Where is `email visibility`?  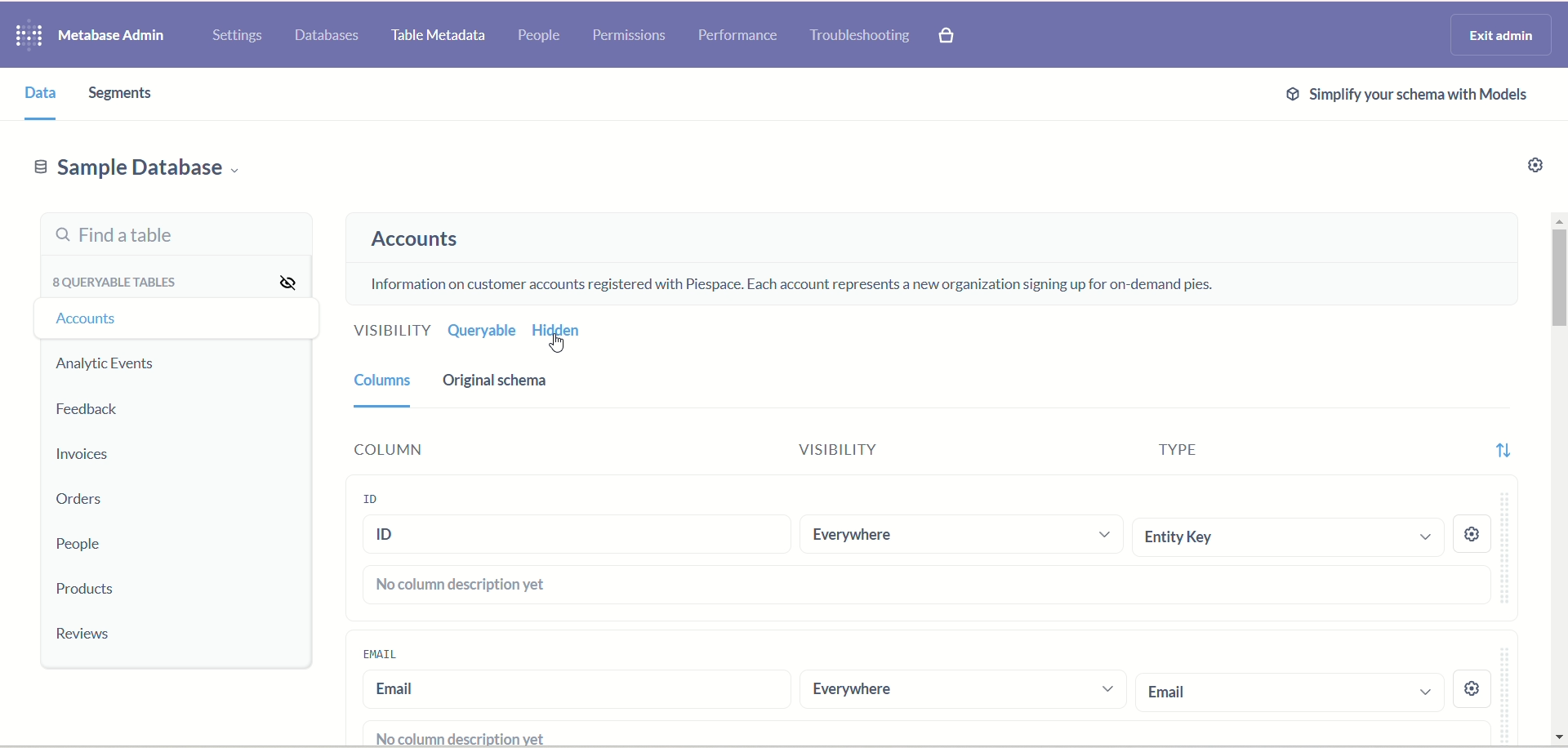
email visibility is located at coordinates (959, 690).